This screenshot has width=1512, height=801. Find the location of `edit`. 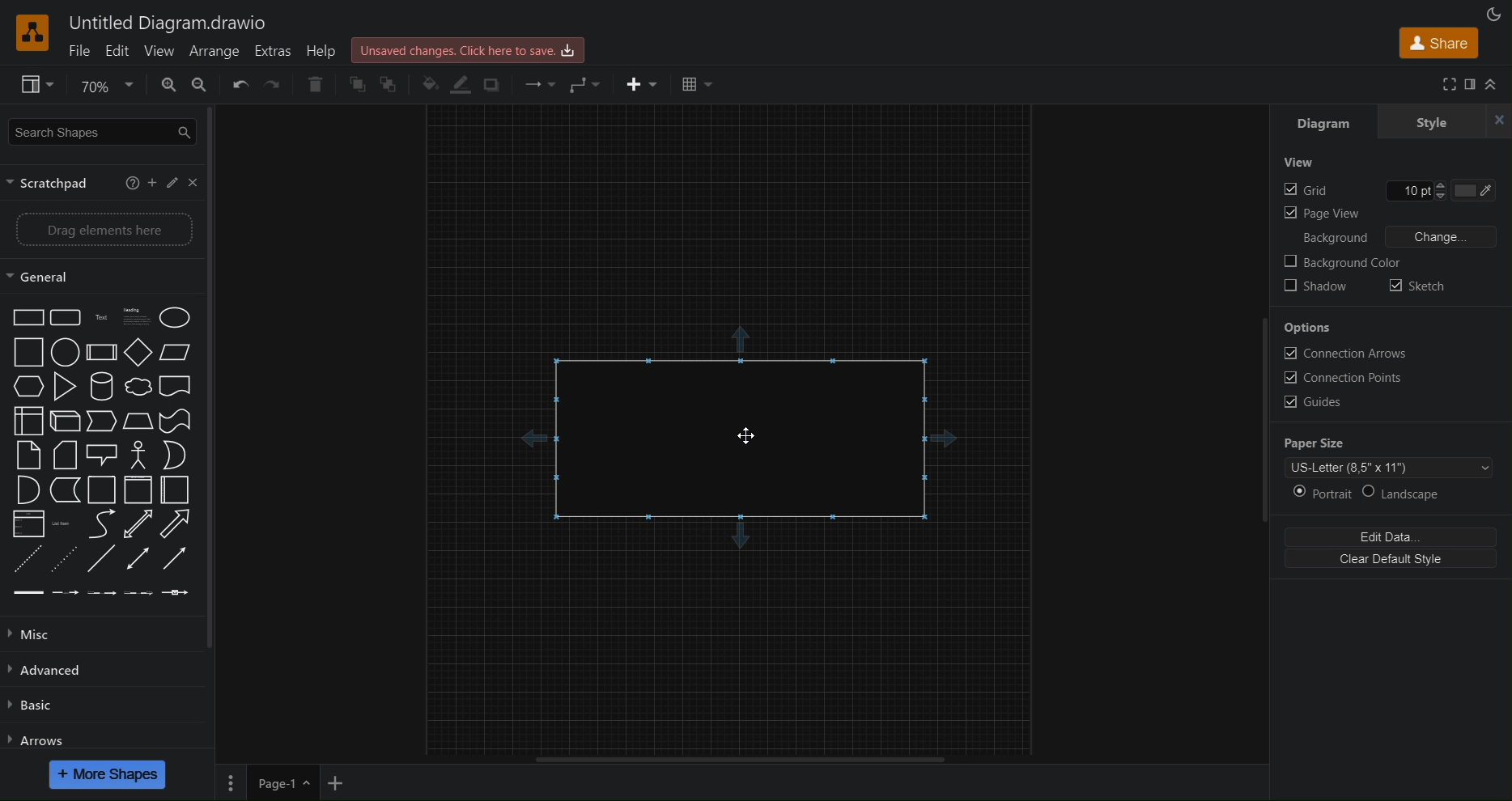

edit is located at coordinates (175, 184).